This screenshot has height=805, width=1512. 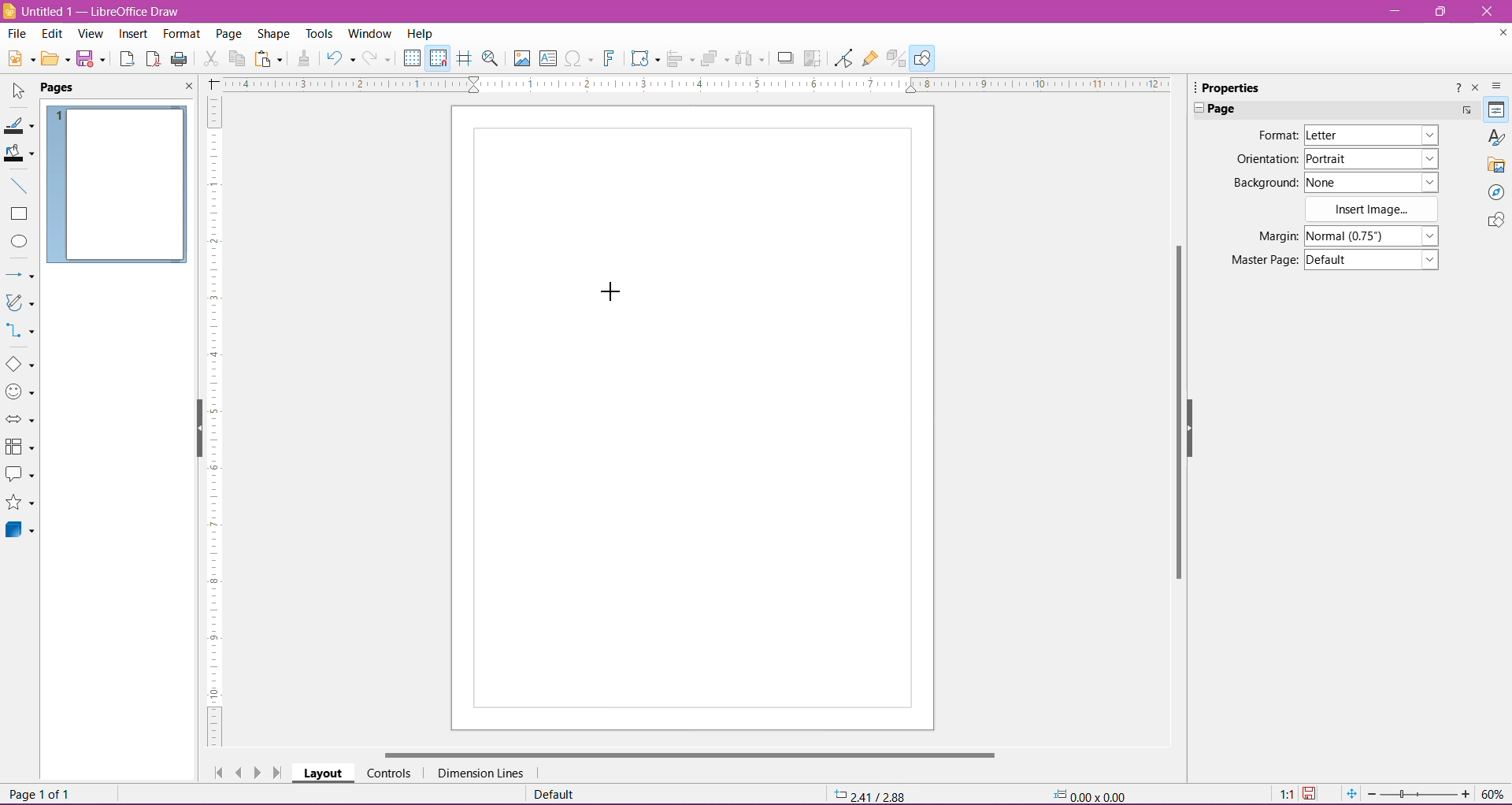 What do you see at coordinates (94, 11) in the screenshot?
I see `Document Title - Application Name` at bounding box center [94, 11].